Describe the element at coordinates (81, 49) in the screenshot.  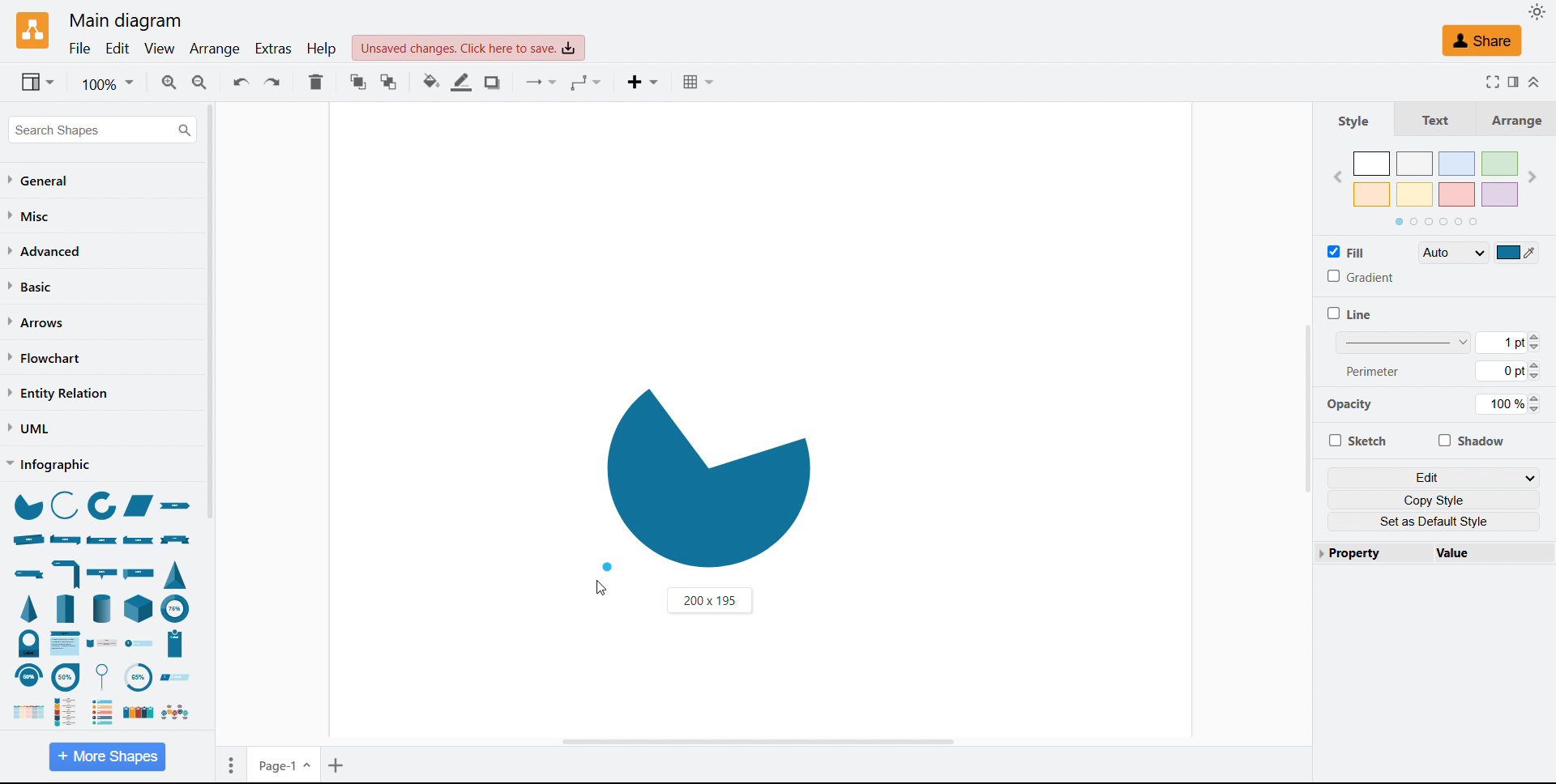
I see `File ` at that location.